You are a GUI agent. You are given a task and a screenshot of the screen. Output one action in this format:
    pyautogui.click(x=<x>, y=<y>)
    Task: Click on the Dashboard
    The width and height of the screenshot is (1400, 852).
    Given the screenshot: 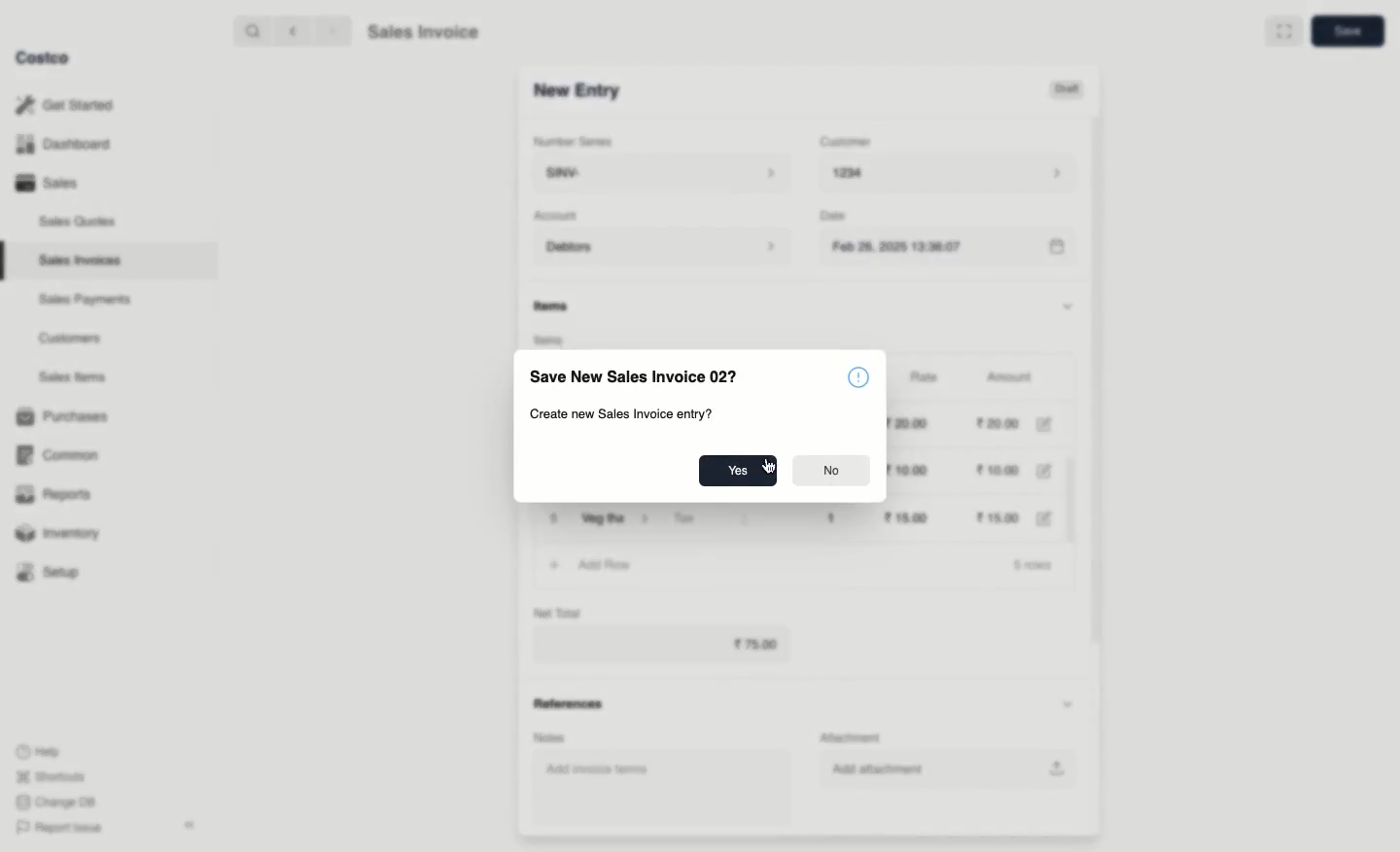 What is the action you would take?
    pyautogui.click(x=60, y=145)
    